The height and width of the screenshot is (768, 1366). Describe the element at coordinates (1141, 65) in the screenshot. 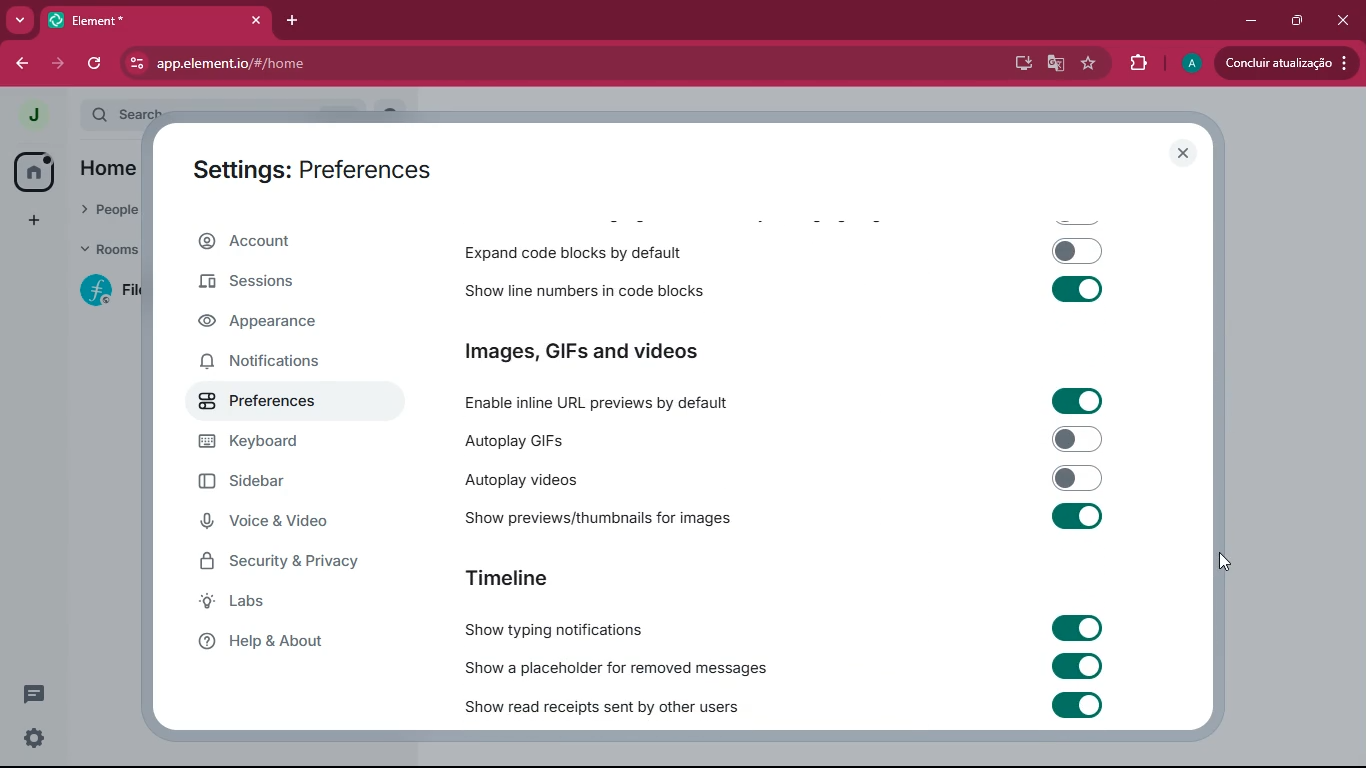

I see `extensions` at that location.